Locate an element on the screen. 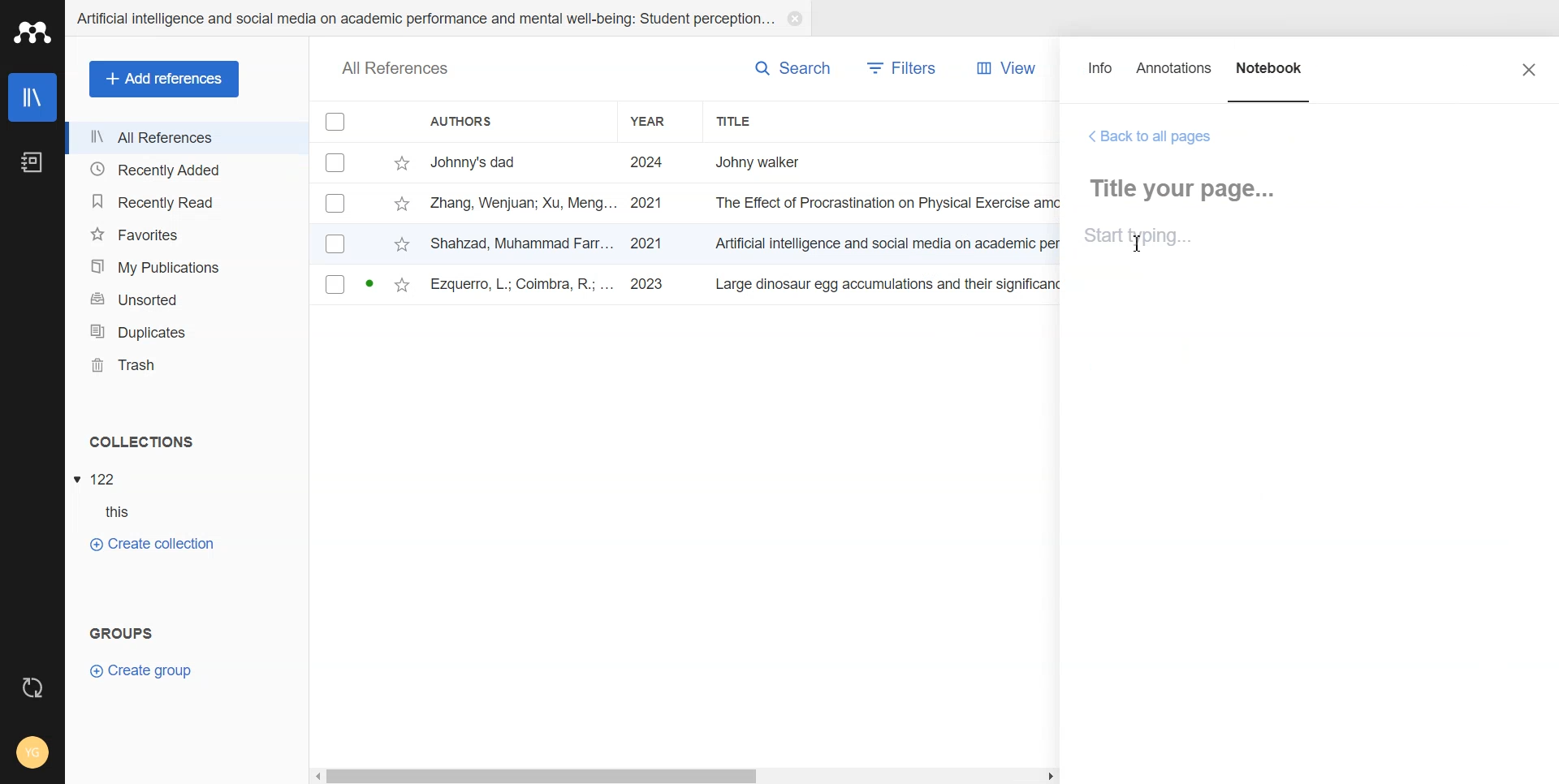 The image size is (1559, 784). Close is located at coordinates (1529, 69).